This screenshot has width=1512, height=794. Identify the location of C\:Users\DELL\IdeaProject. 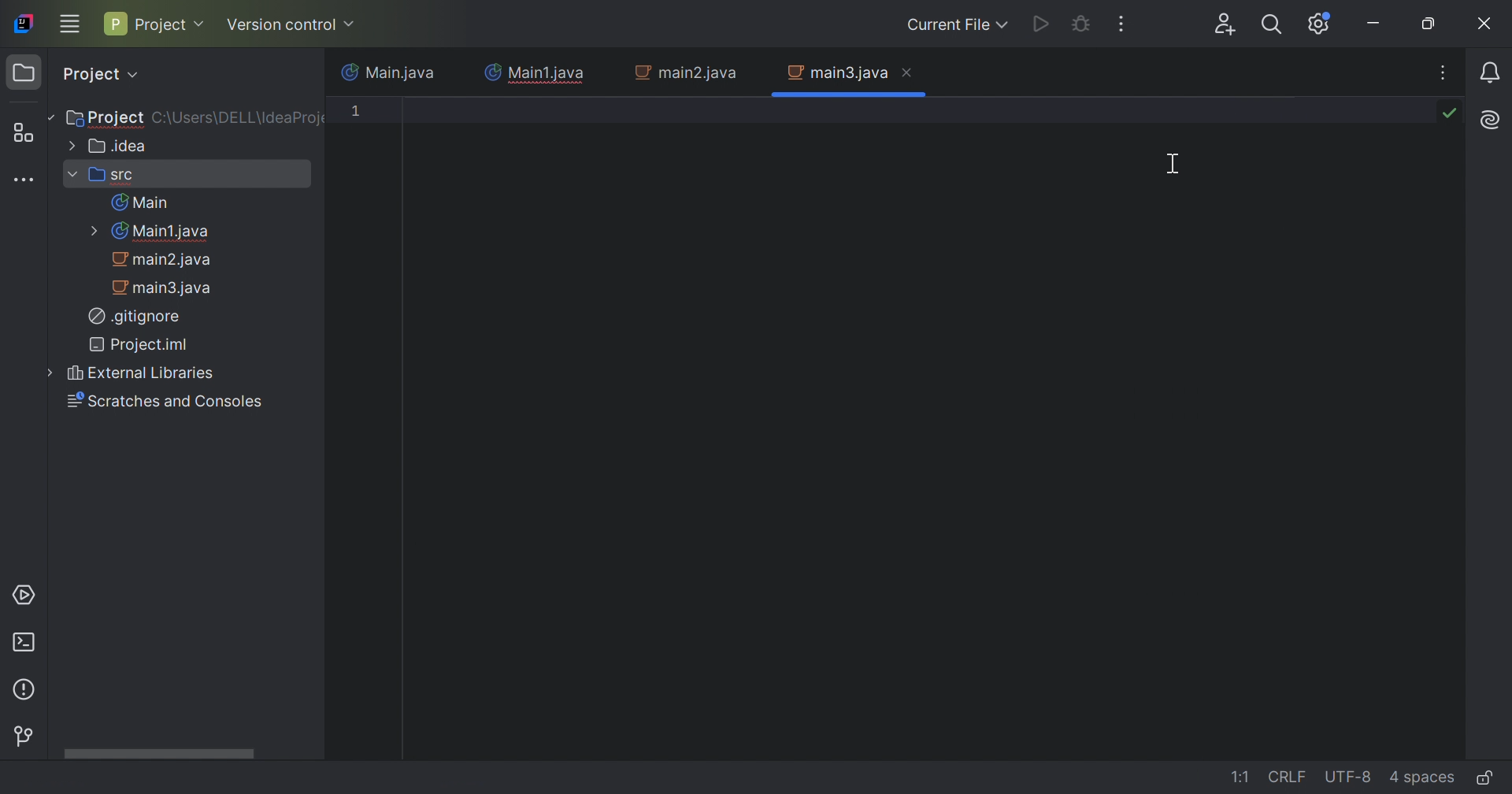
(240, 117).